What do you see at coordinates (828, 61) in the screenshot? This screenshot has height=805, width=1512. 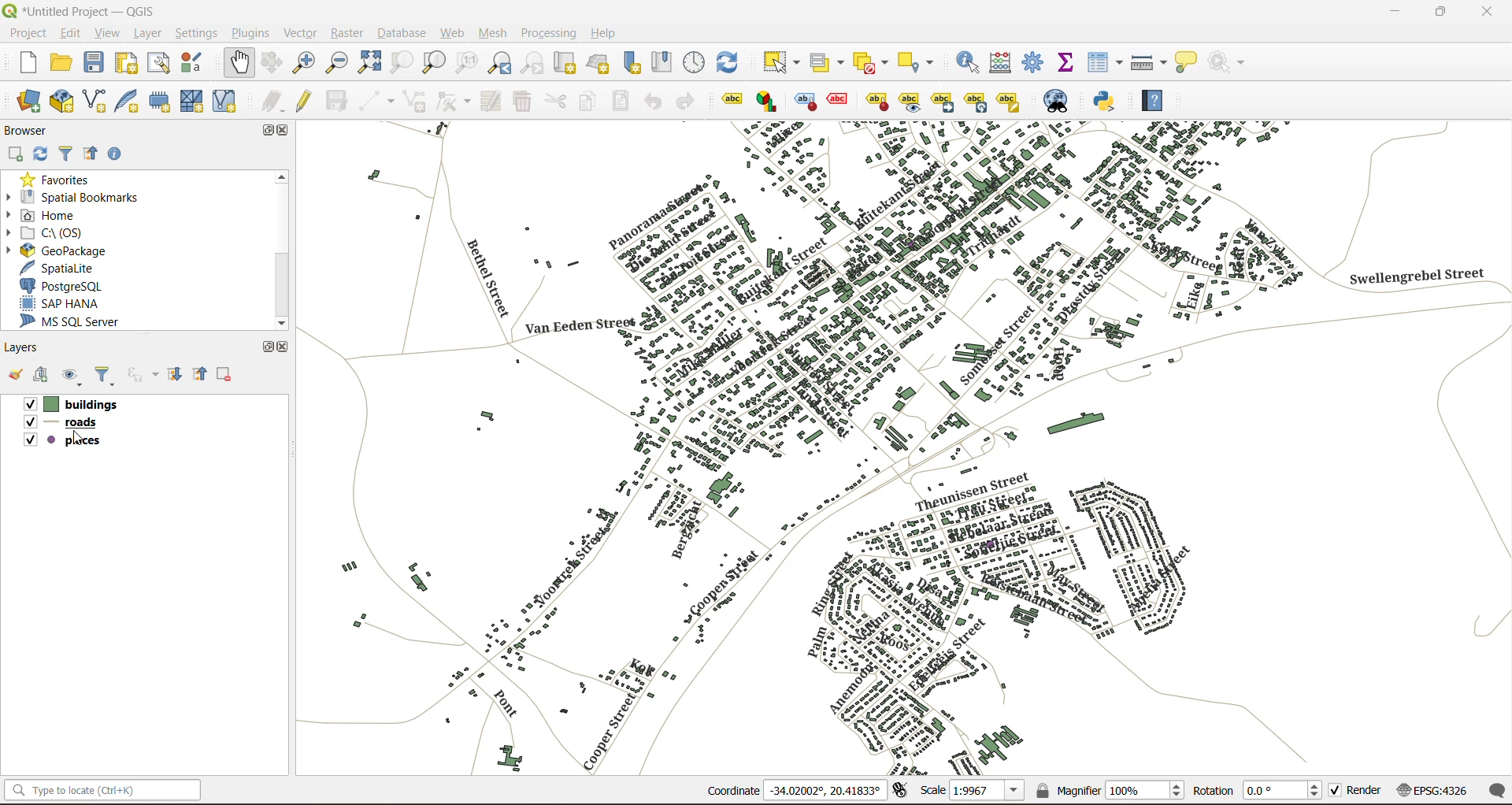 I see `select value` at bounding box center [828, 61].